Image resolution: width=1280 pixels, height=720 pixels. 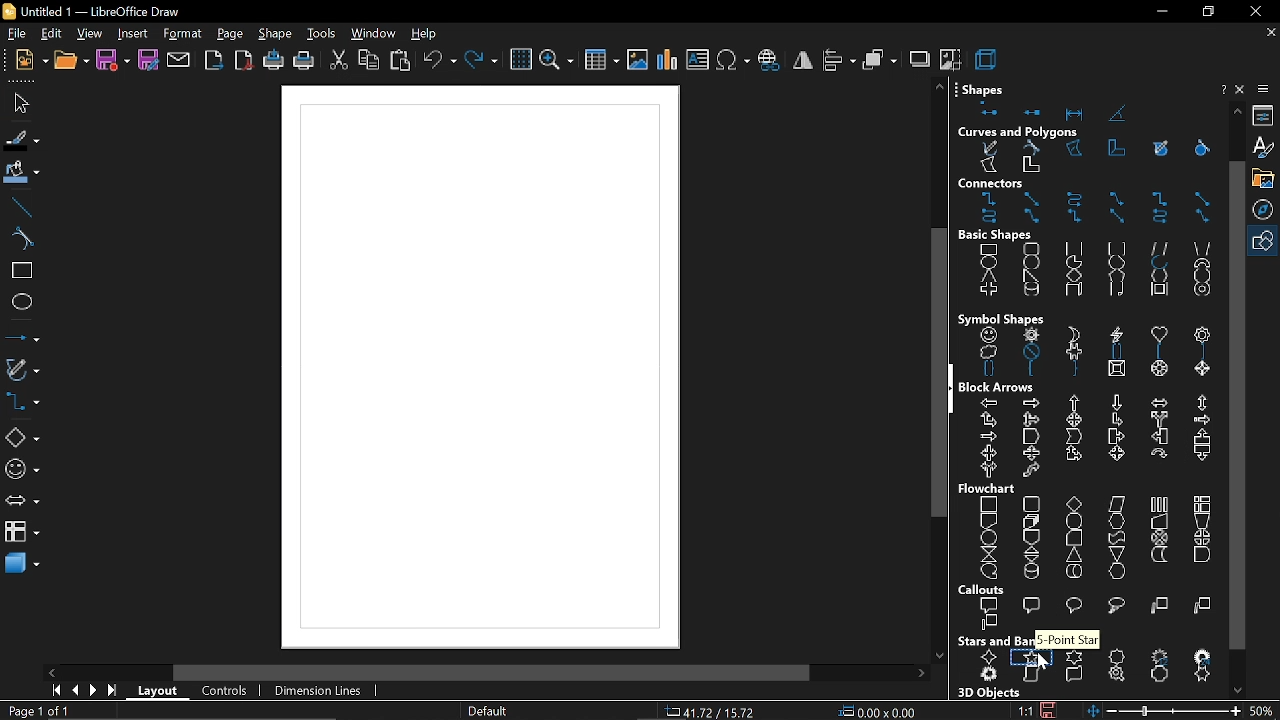 What do you see at coordinates (401, 60) in the screenshot?
I see `paste` at bounding box center [401, 60].